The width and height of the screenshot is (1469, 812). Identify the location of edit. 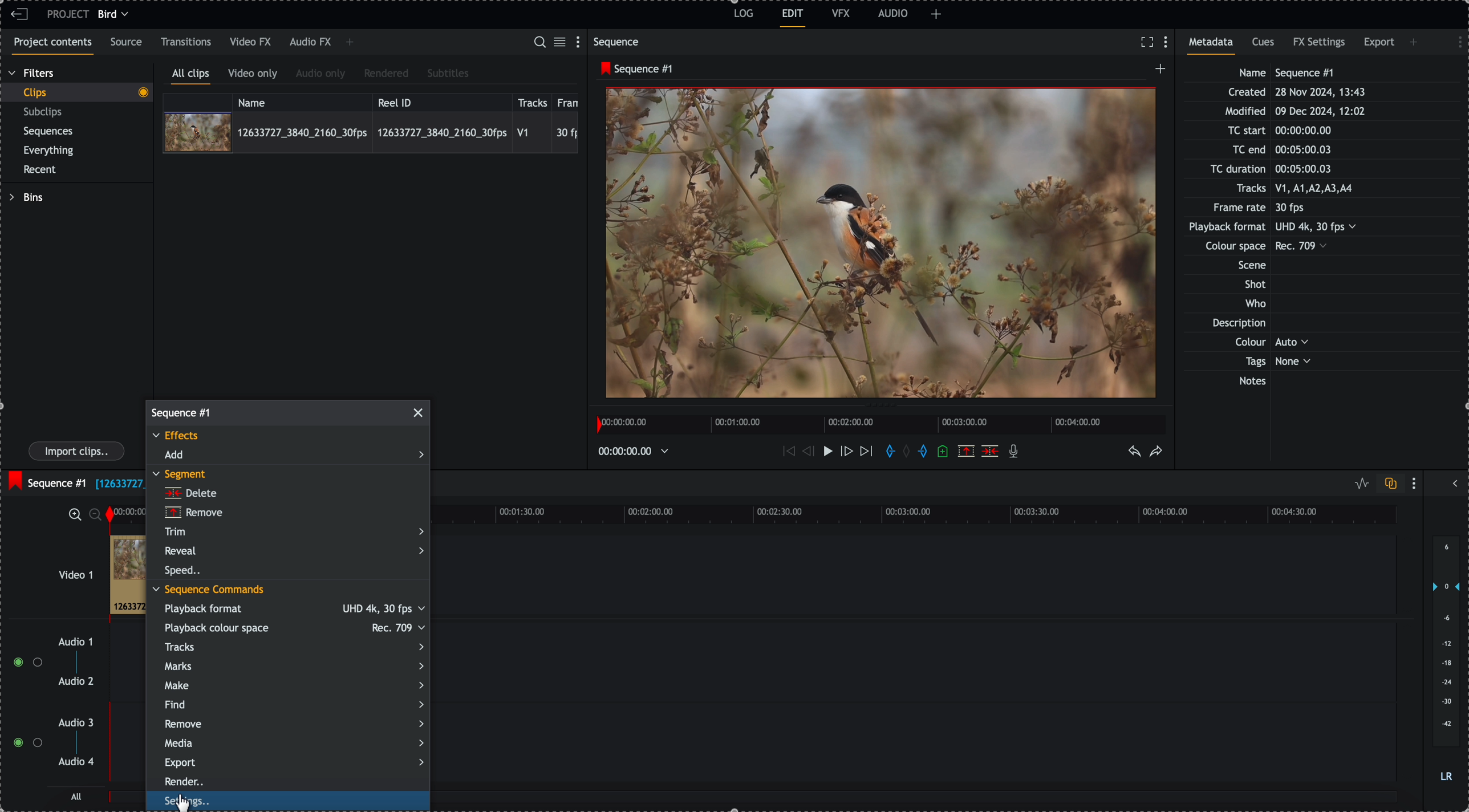
(793, 18).